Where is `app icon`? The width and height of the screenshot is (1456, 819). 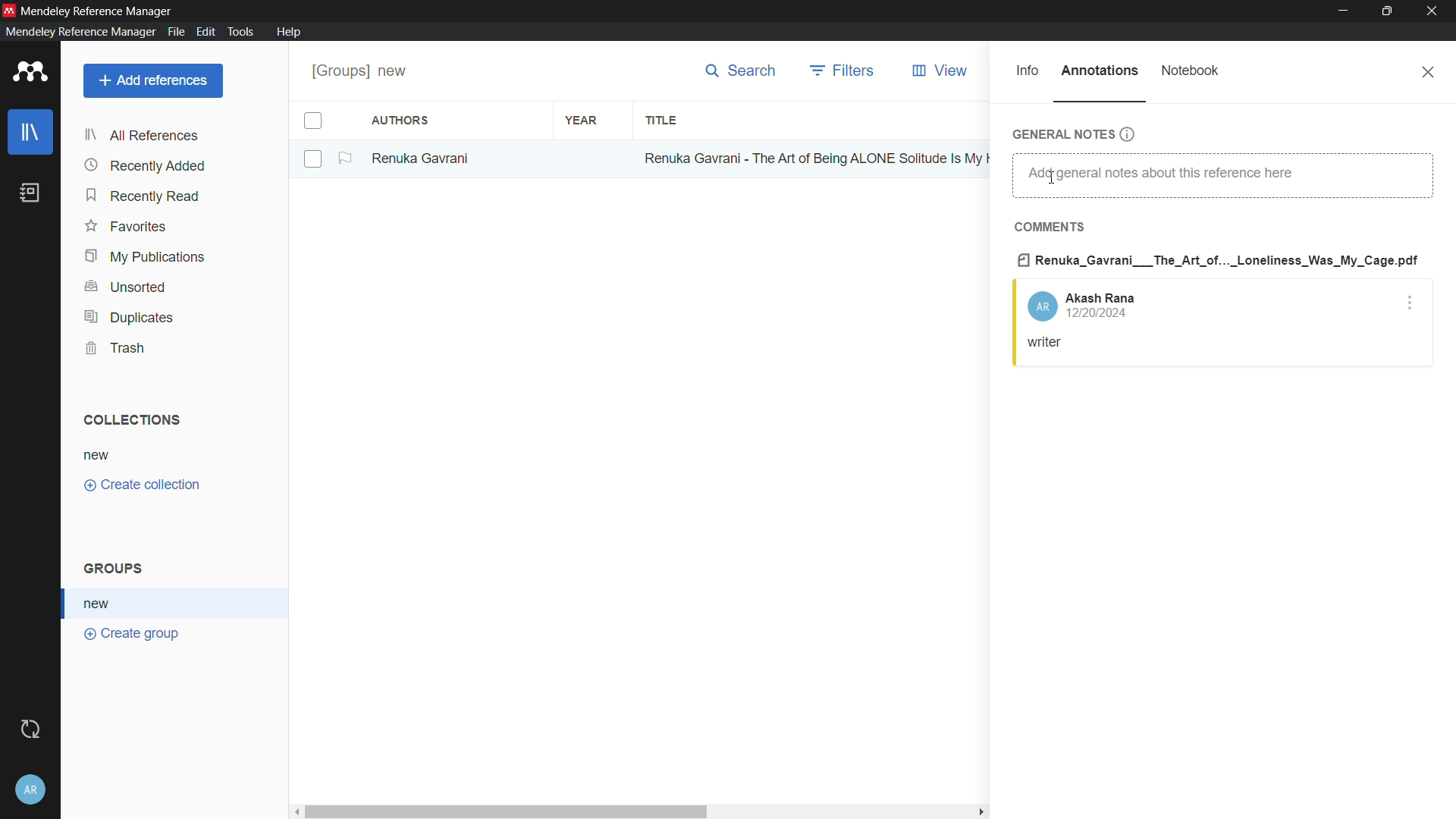 app icon is located at coordinates (30, 73).